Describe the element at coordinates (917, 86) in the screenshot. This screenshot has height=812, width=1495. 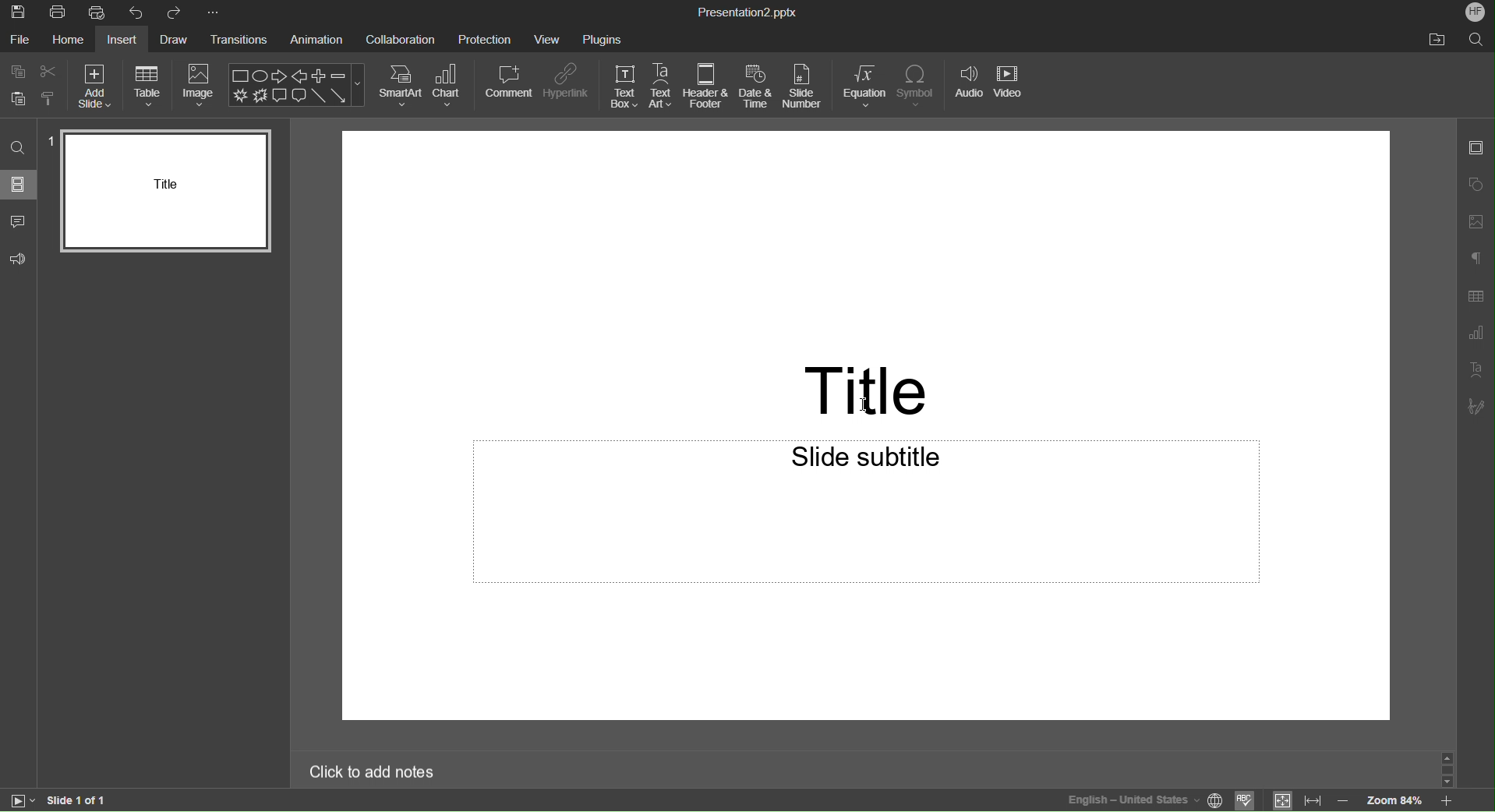
I see `Symbol` at that location.